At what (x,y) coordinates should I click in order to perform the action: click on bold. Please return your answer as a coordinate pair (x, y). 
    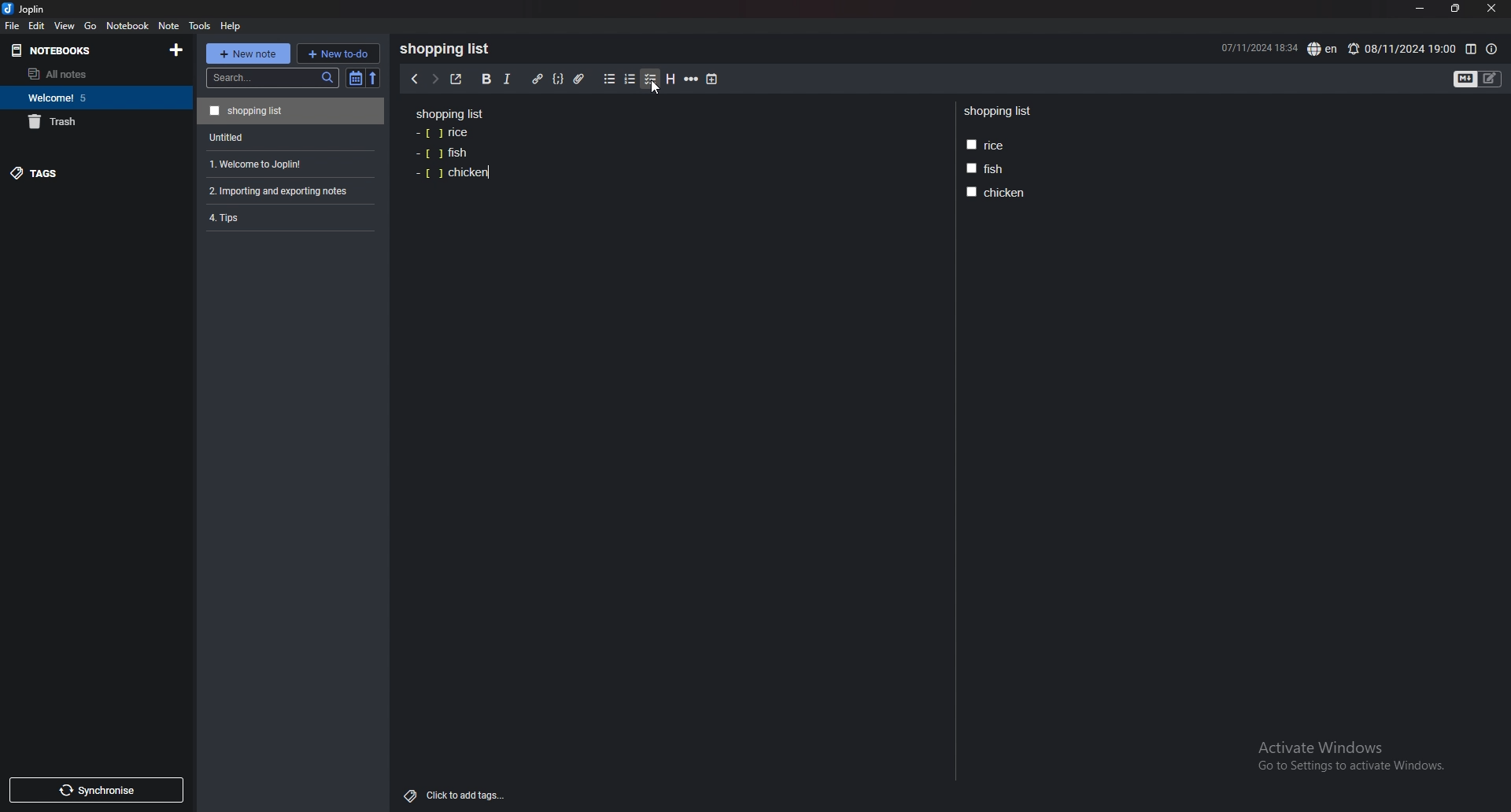
    Looking at the image, I should click on (486, 79).